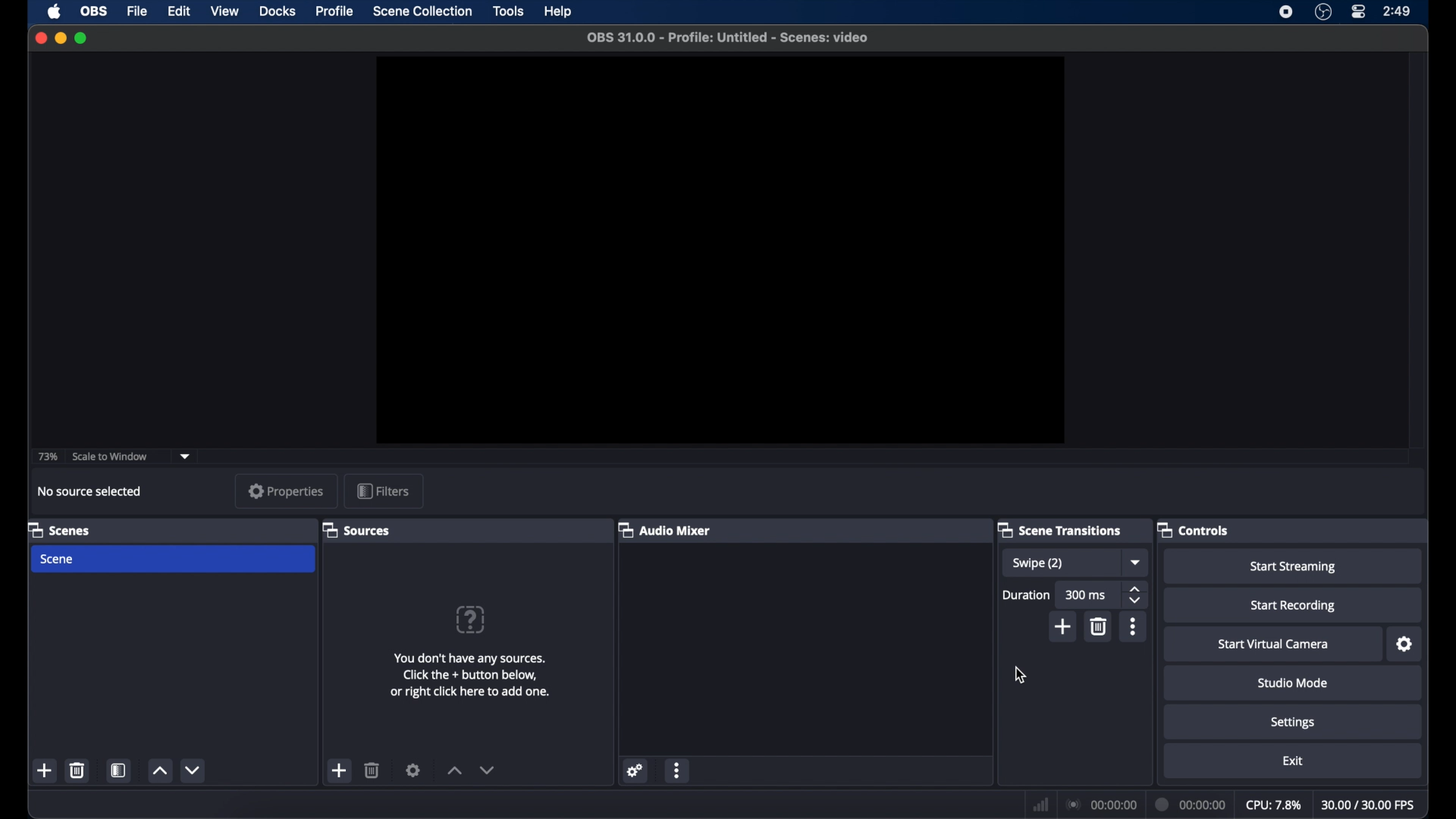 The height and width of the screenshot is (819, 1456). What do you see at coordinates (635, 770) in the screenshot?
I see `settings` at bounding box center [635, 770].